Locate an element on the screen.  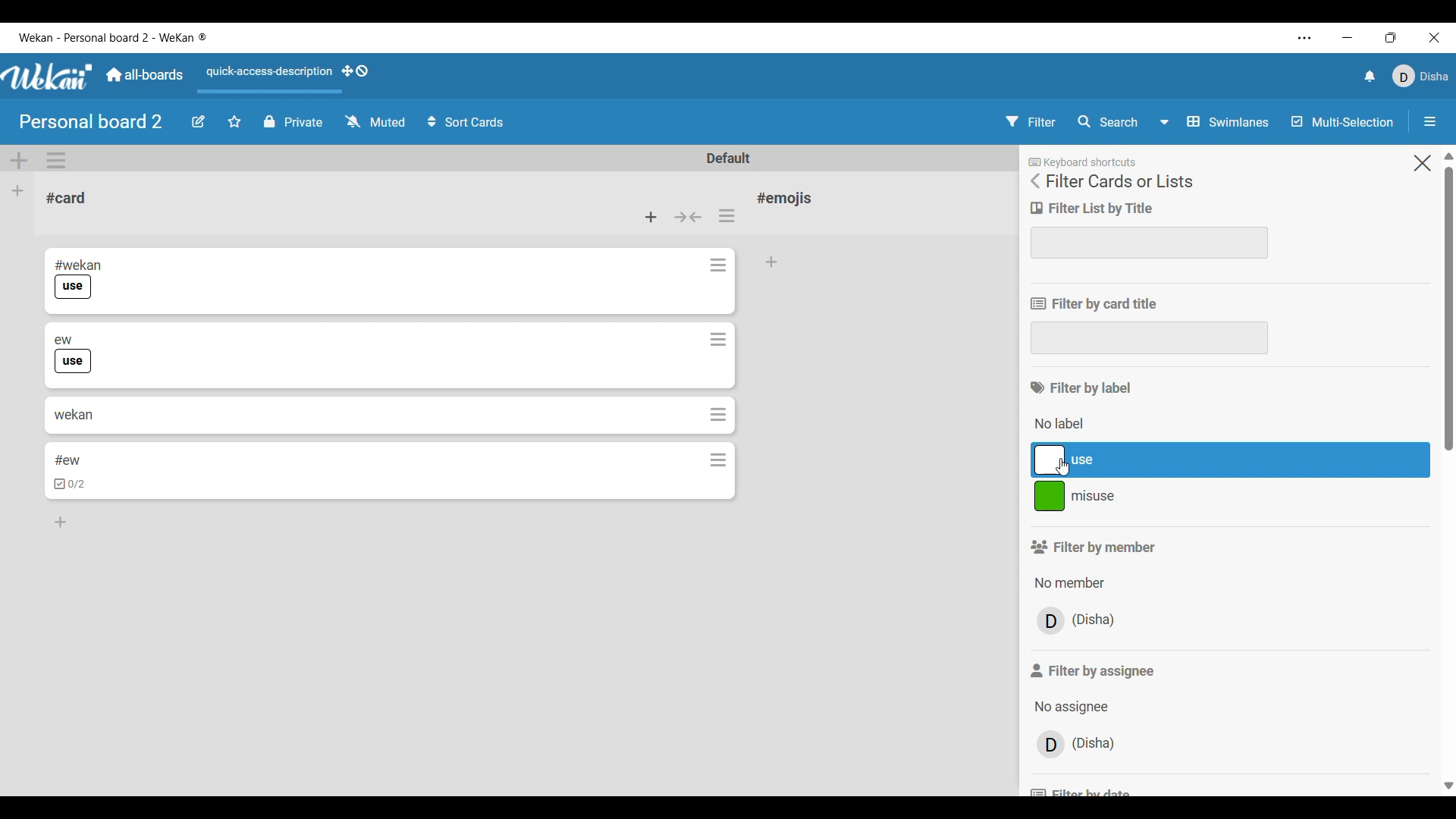
Quick access description is located at coordinates (267, 72).